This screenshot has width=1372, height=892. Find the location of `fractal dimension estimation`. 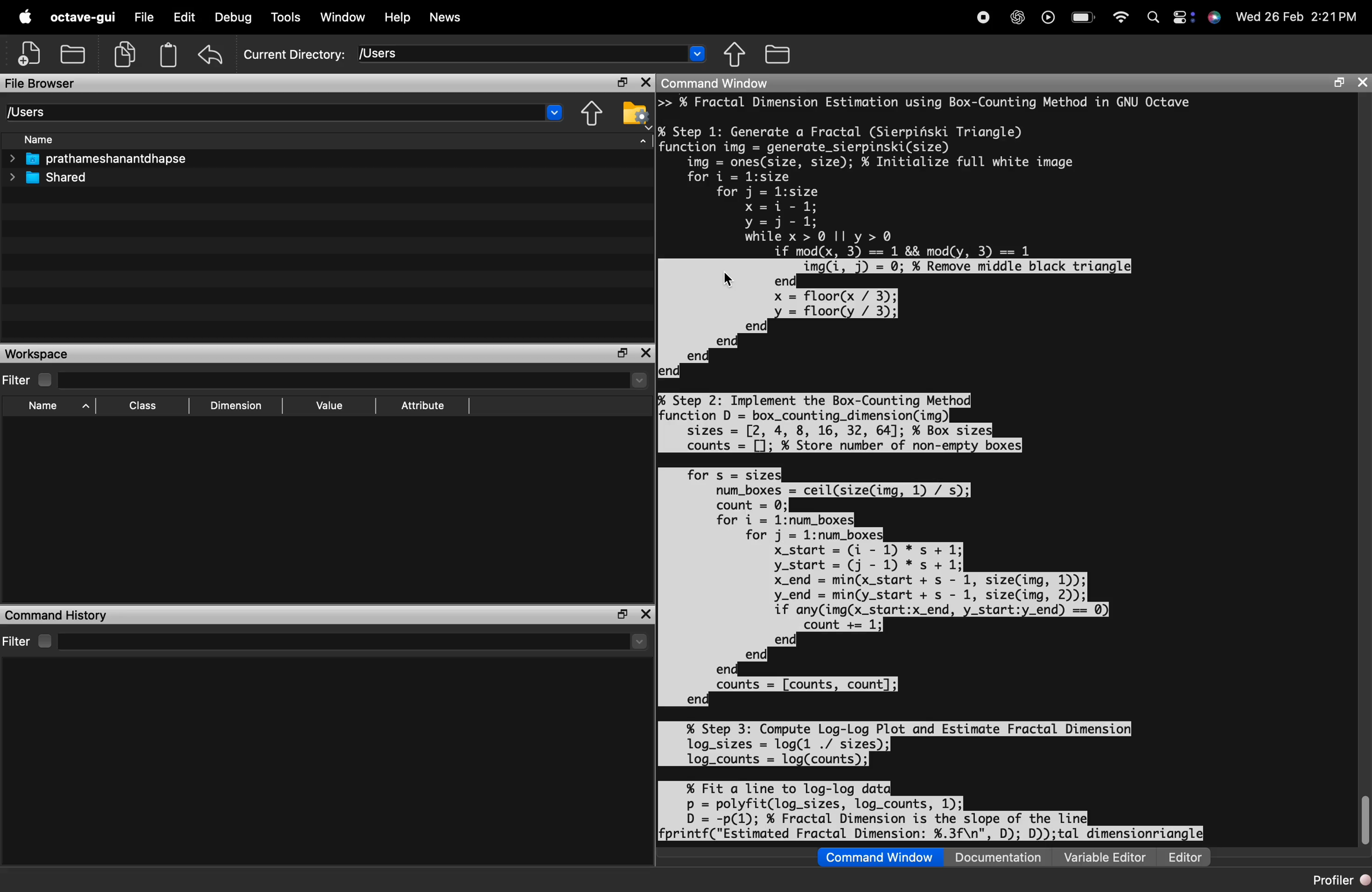

fractal dimension estimation is located at coordinates (924, 103).